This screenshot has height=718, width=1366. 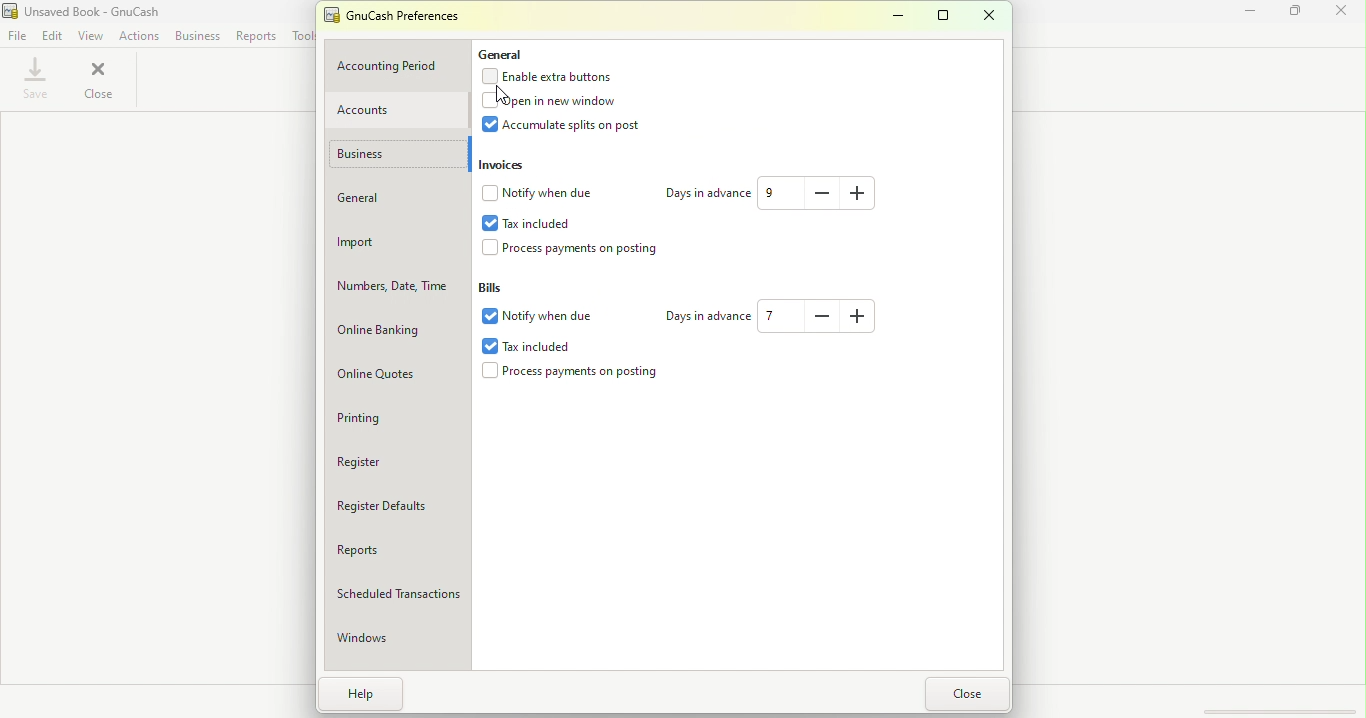 I want to click on Windows, so click(x=394, y=637).